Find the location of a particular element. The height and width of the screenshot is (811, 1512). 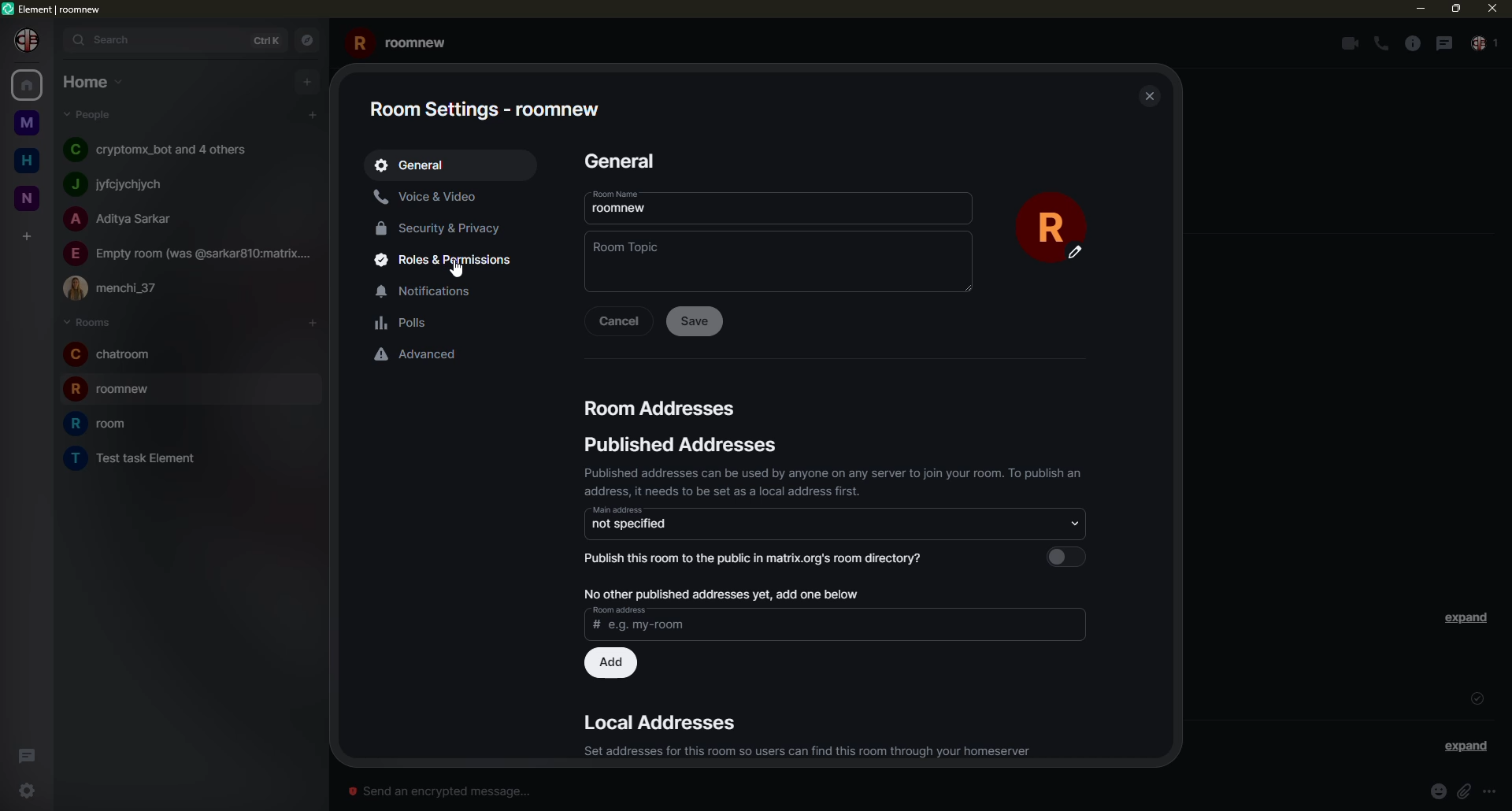

advaced is located at coordinates (421, 354).